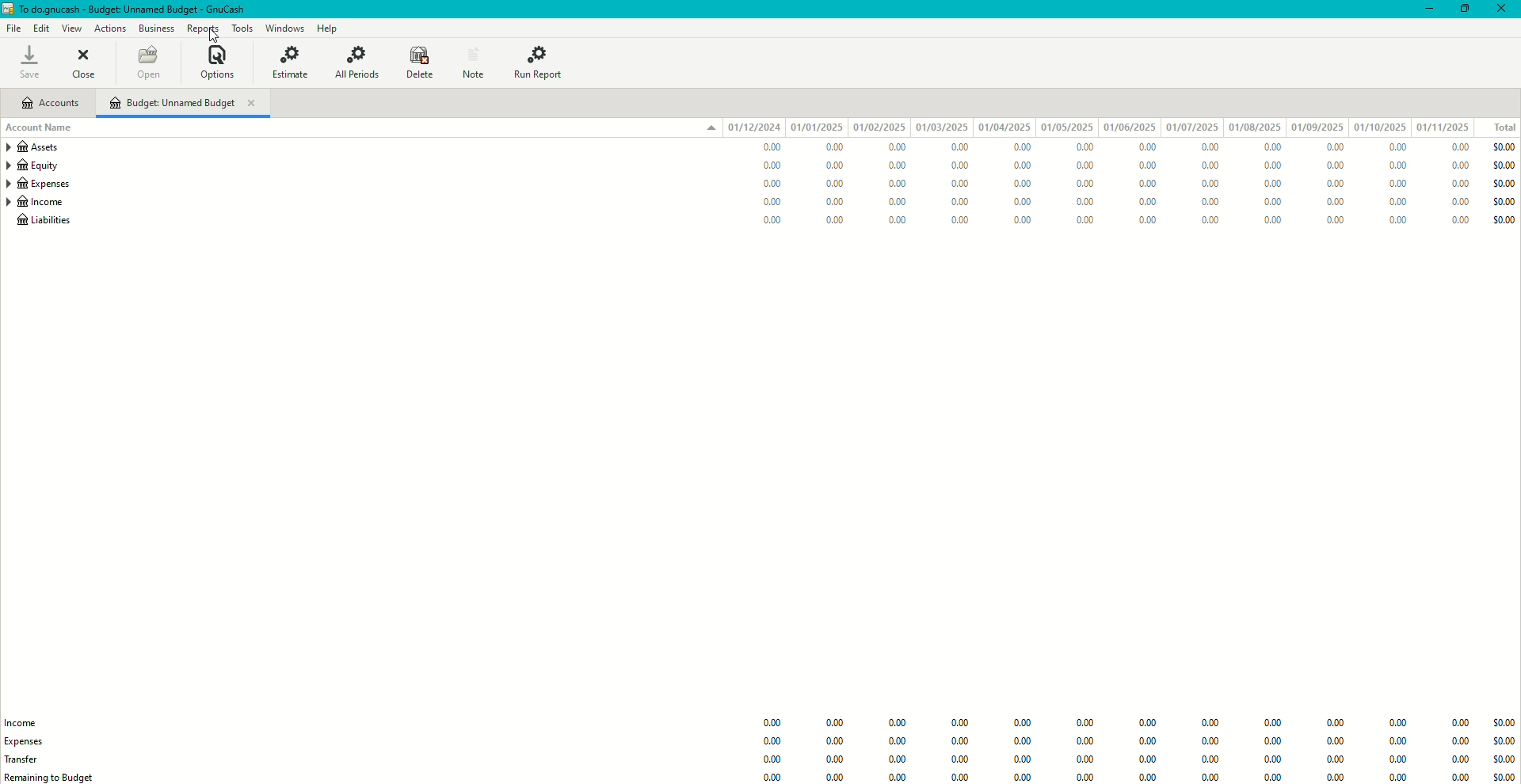 This screenshot has height=784, width=1521. Describe the element at coordinates (185, 104) in the screenshot. I see `Unnamed Budget` at that location.